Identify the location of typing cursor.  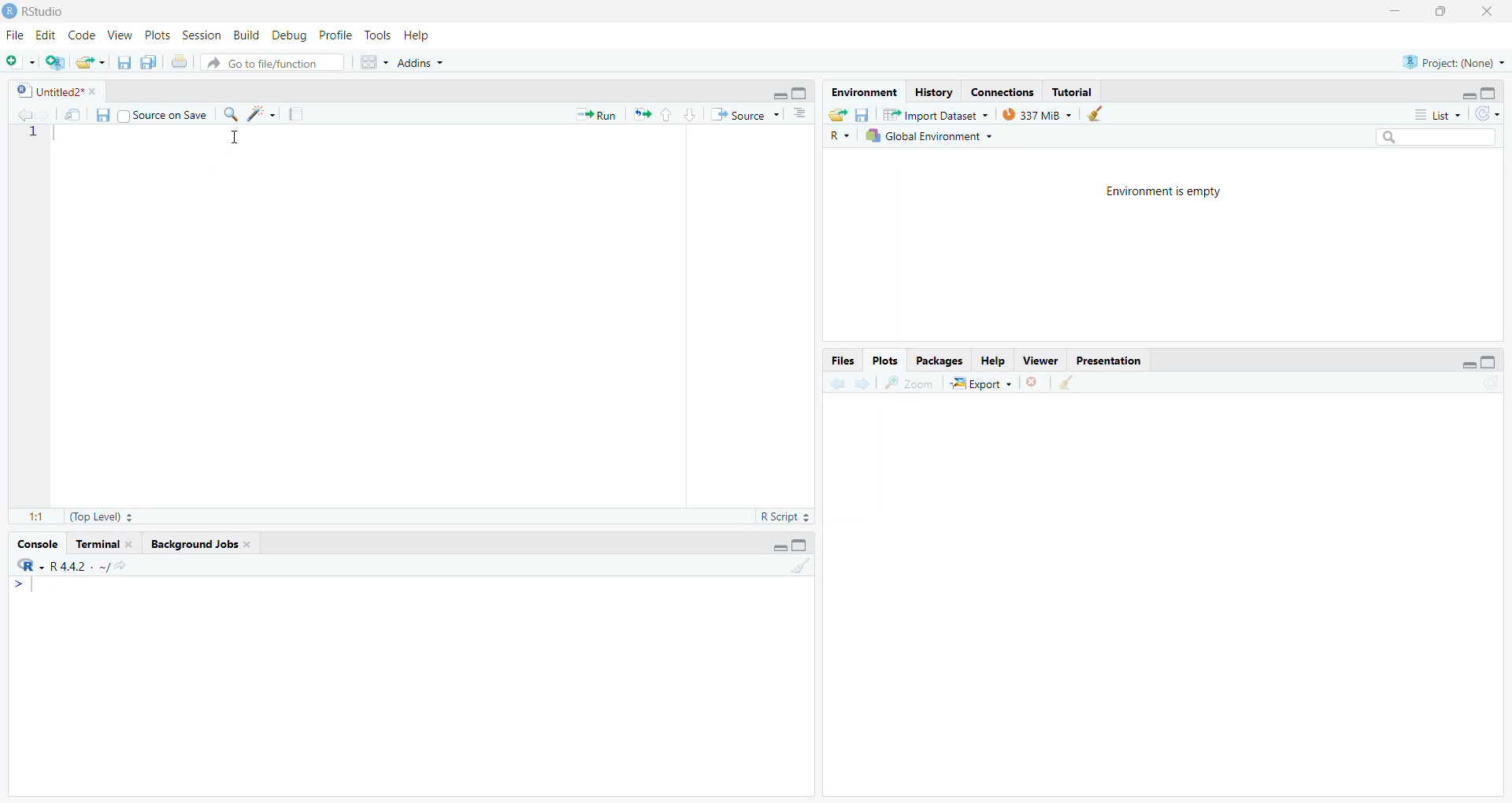
(29, 588).